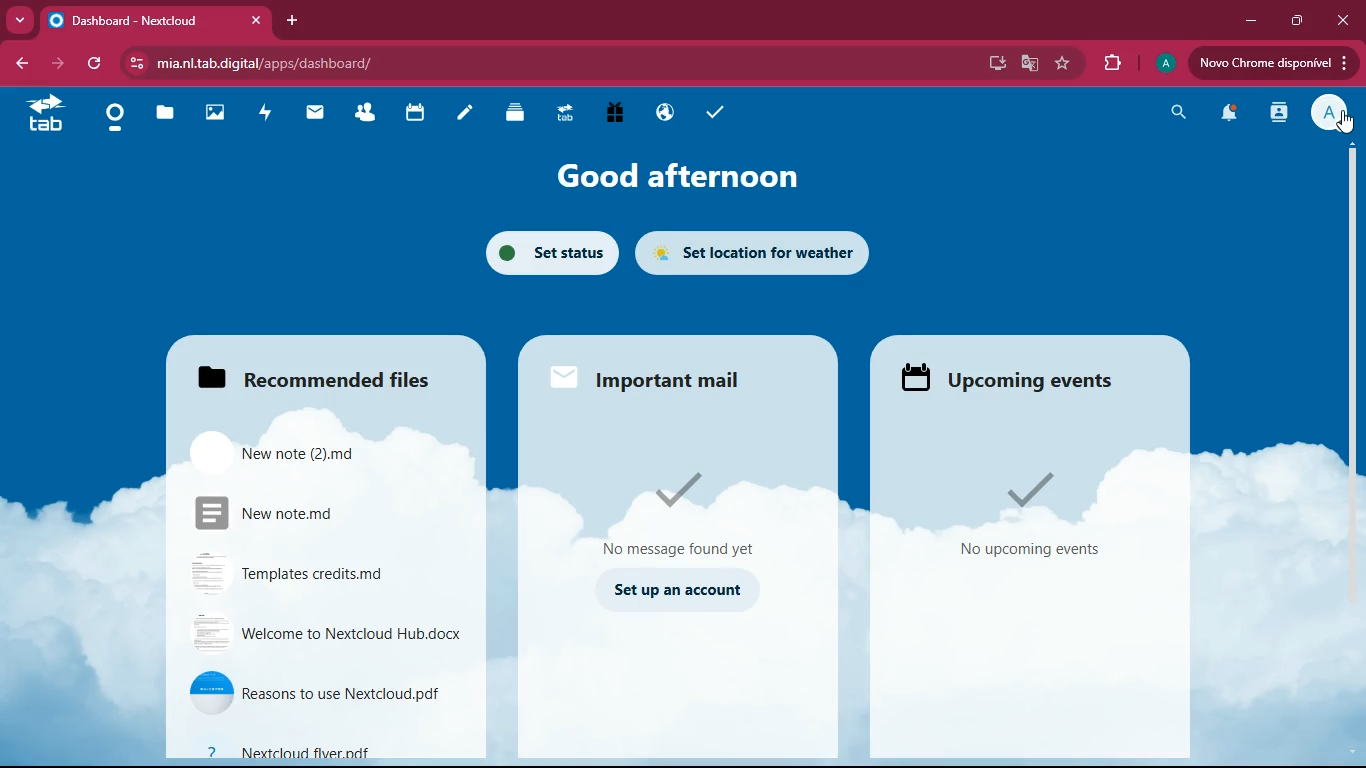 The image size is (1366, 768). I want to click on minimize, so click(1247, 25).